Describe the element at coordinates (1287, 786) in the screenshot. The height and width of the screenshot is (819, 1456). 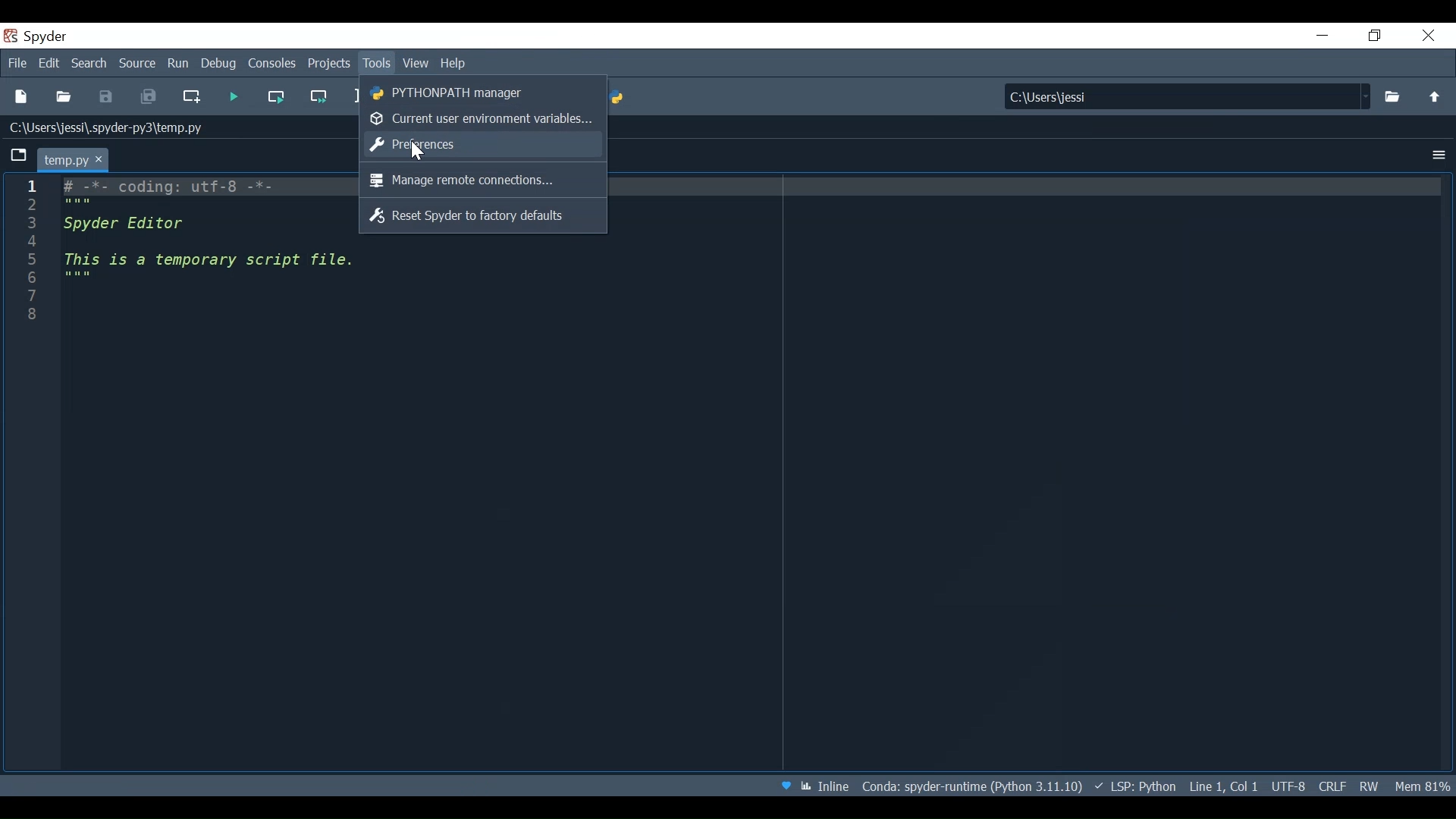
I see `File Encoding` at that location.